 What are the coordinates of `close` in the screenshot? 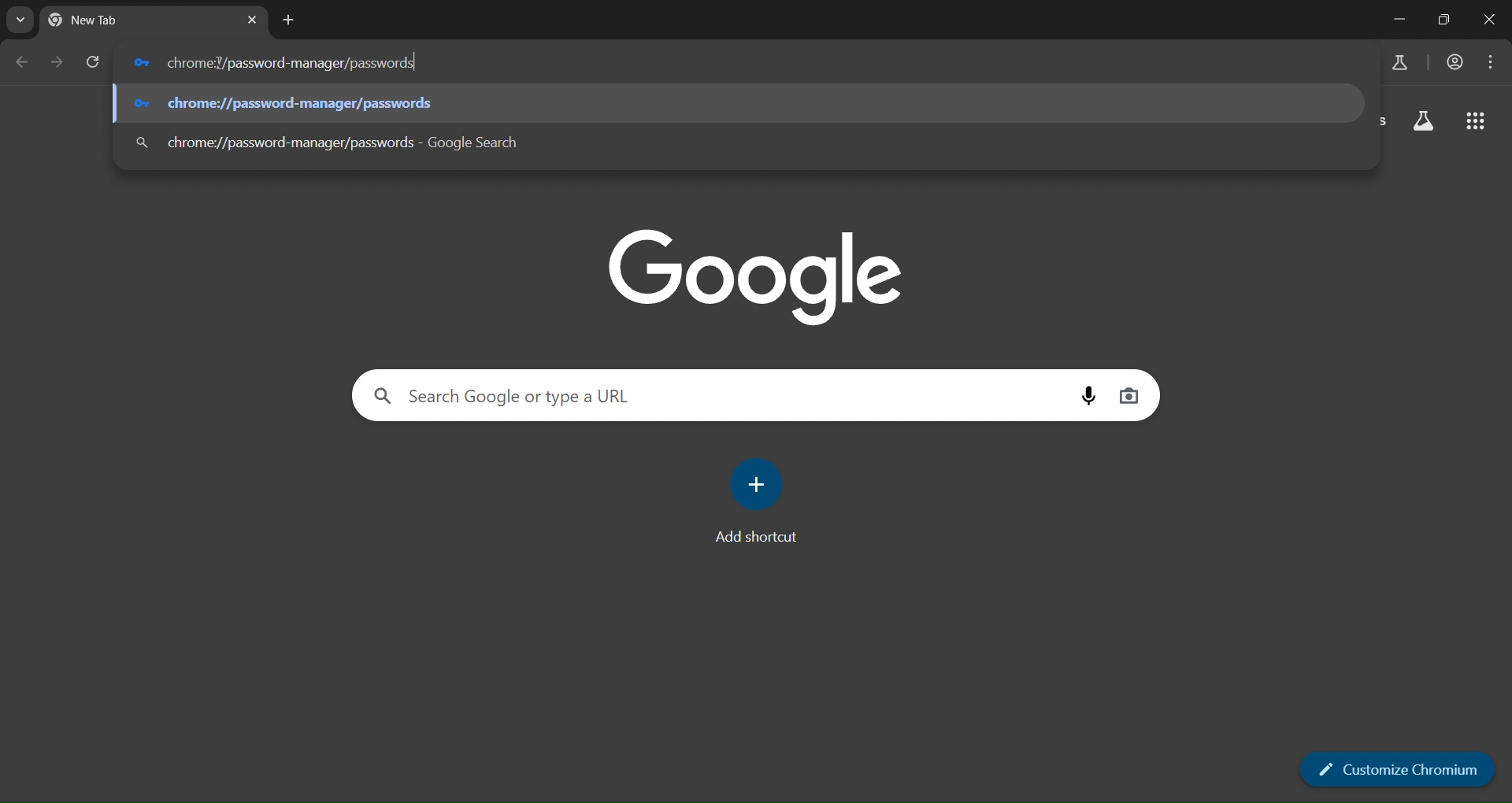 It's located at (1490, 20).